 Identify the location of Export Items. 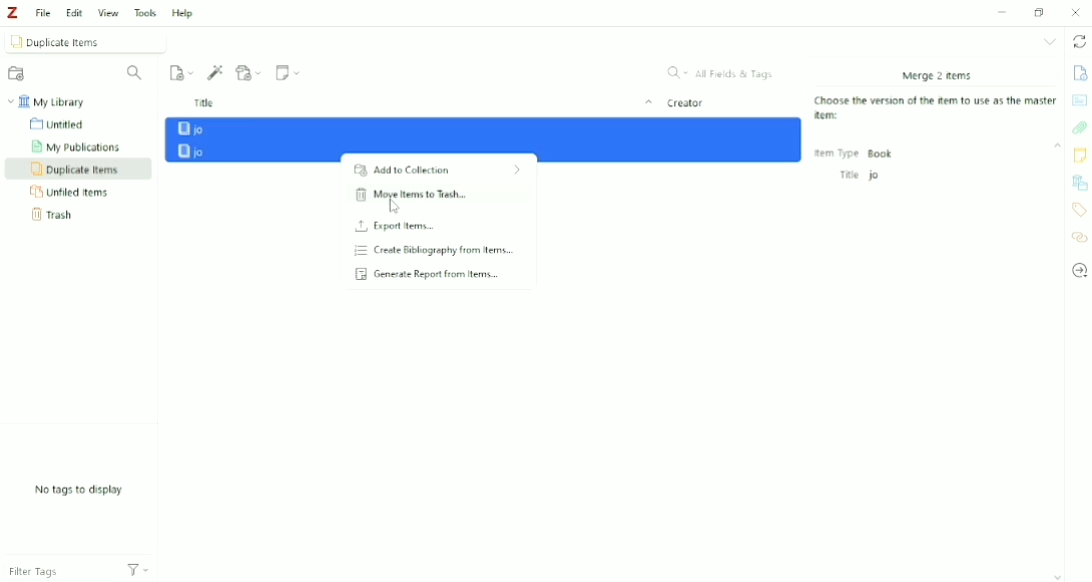
(436, 226).